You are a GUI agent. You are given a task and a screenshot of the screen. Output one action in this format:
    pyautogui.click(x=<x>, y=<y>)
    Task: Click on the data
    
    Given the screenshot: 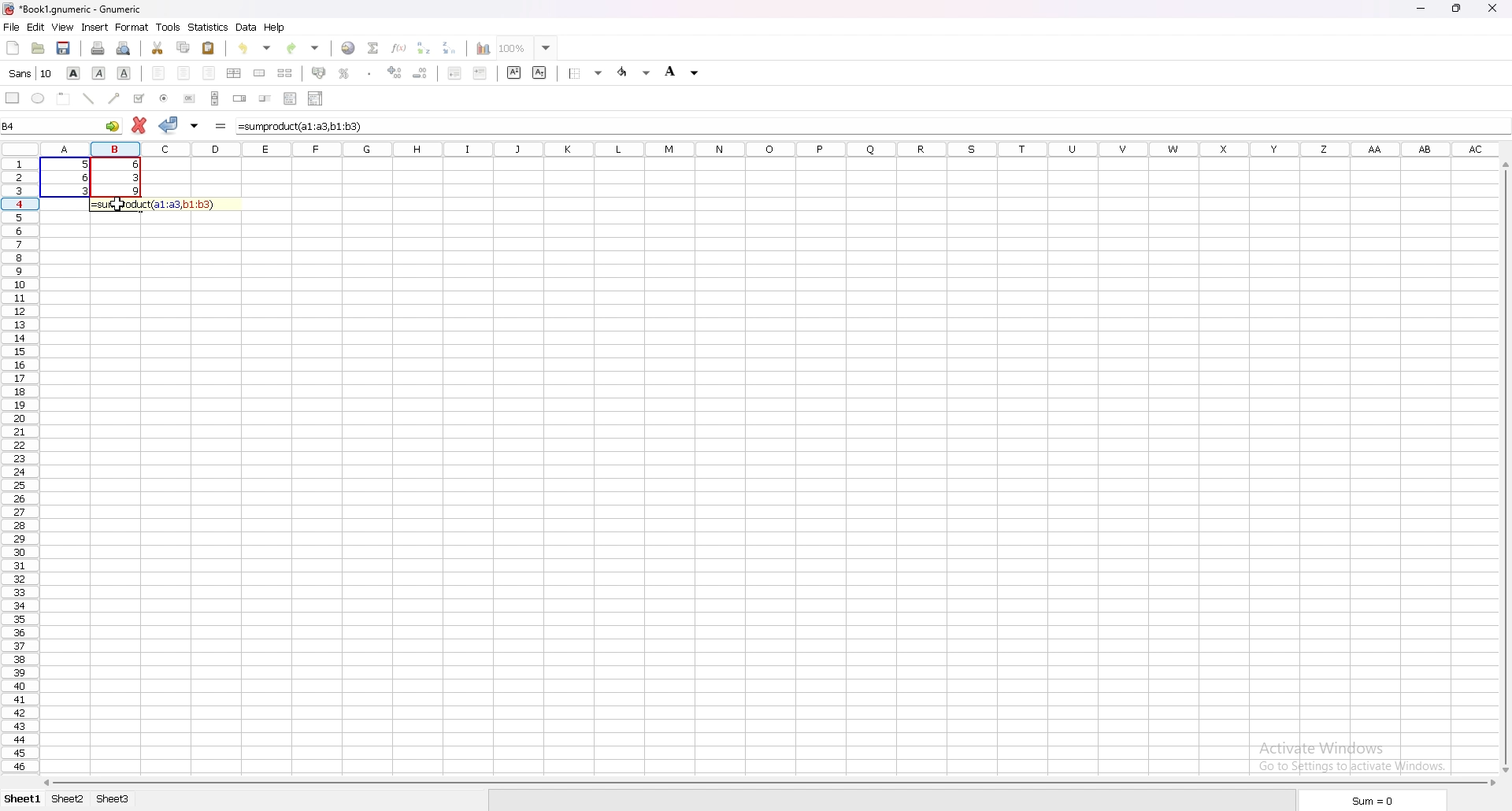 What is the action you would take?
    pyautogui.click(x=91, y=176)
    